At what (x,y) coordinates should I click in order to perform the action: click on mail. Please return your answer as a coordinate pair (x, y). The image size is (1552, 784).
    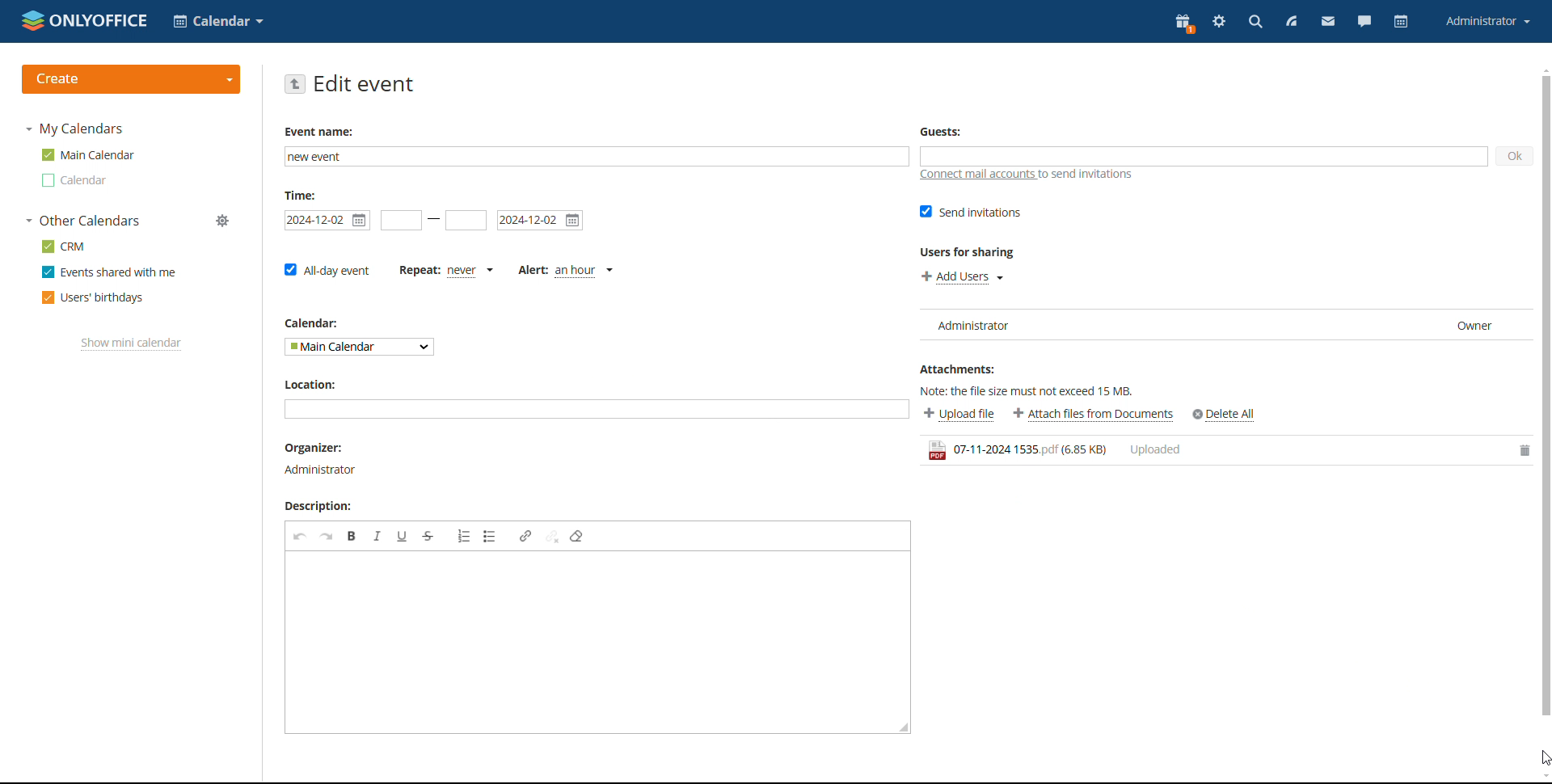
    Looking at the image, I should click on (1328, 22).